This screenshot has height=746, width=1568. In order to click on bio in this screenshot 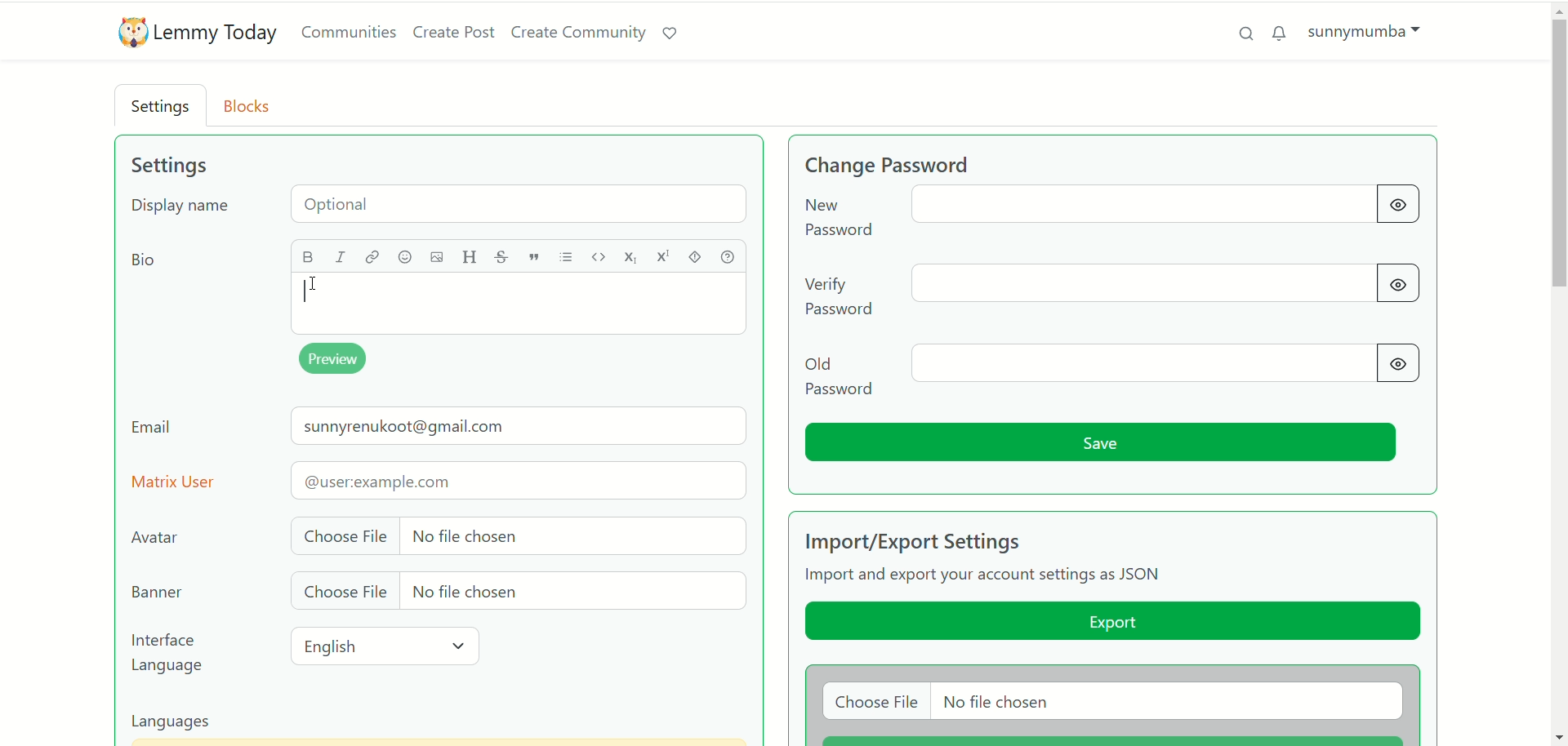, I will do `click(140, 262)`.